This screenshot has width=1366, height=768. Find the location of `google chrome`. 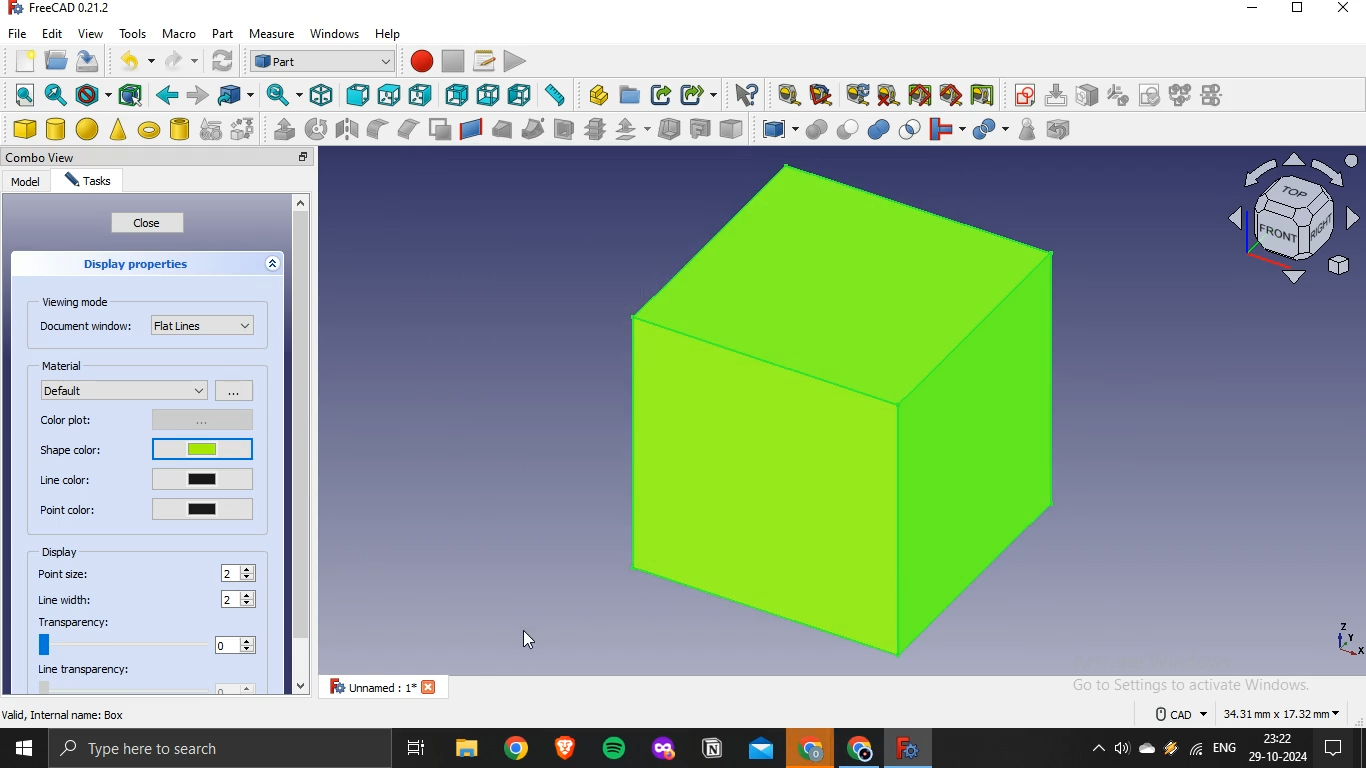

google chrome is located at coordinates (856, 750).